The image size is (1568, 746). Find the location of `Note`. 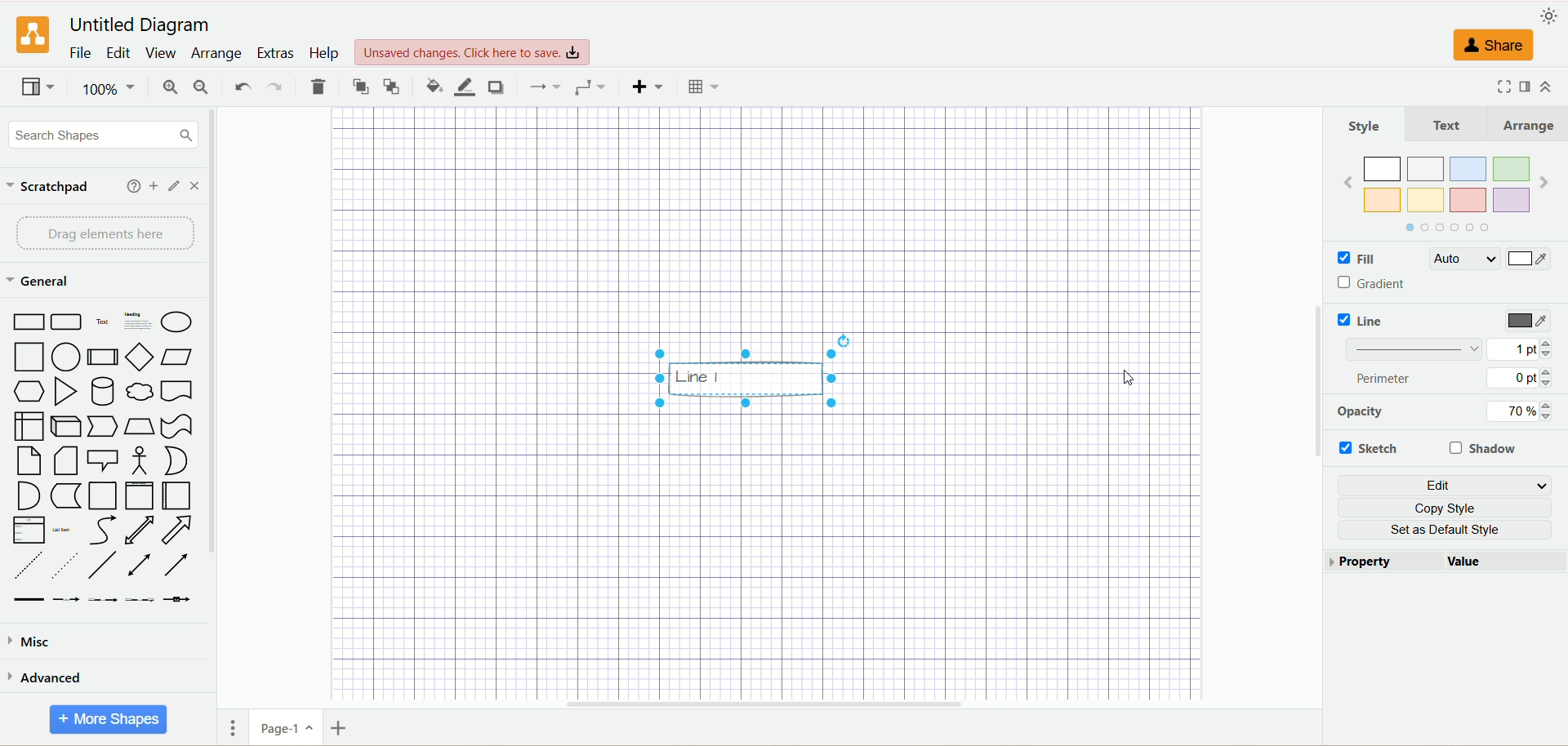

Note is located at coordinates (26, 461).